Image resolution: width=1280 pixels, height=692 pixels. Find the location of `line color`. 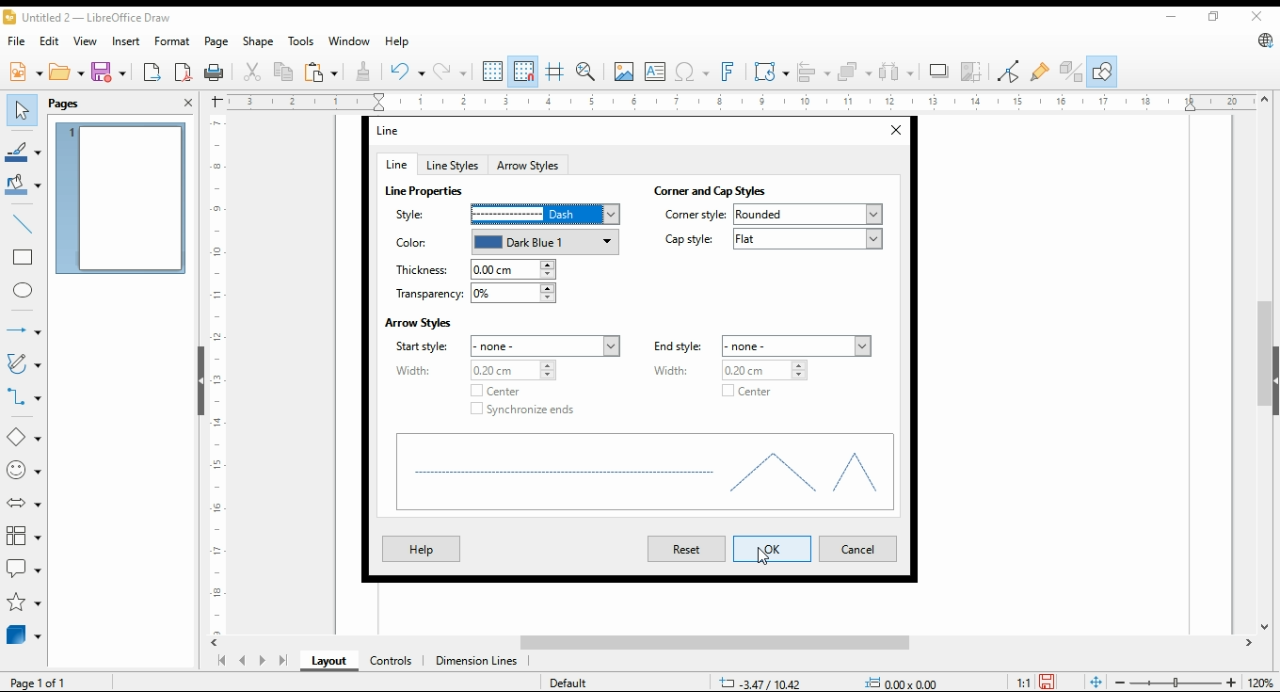

line color is located at coordinates (503, 243).